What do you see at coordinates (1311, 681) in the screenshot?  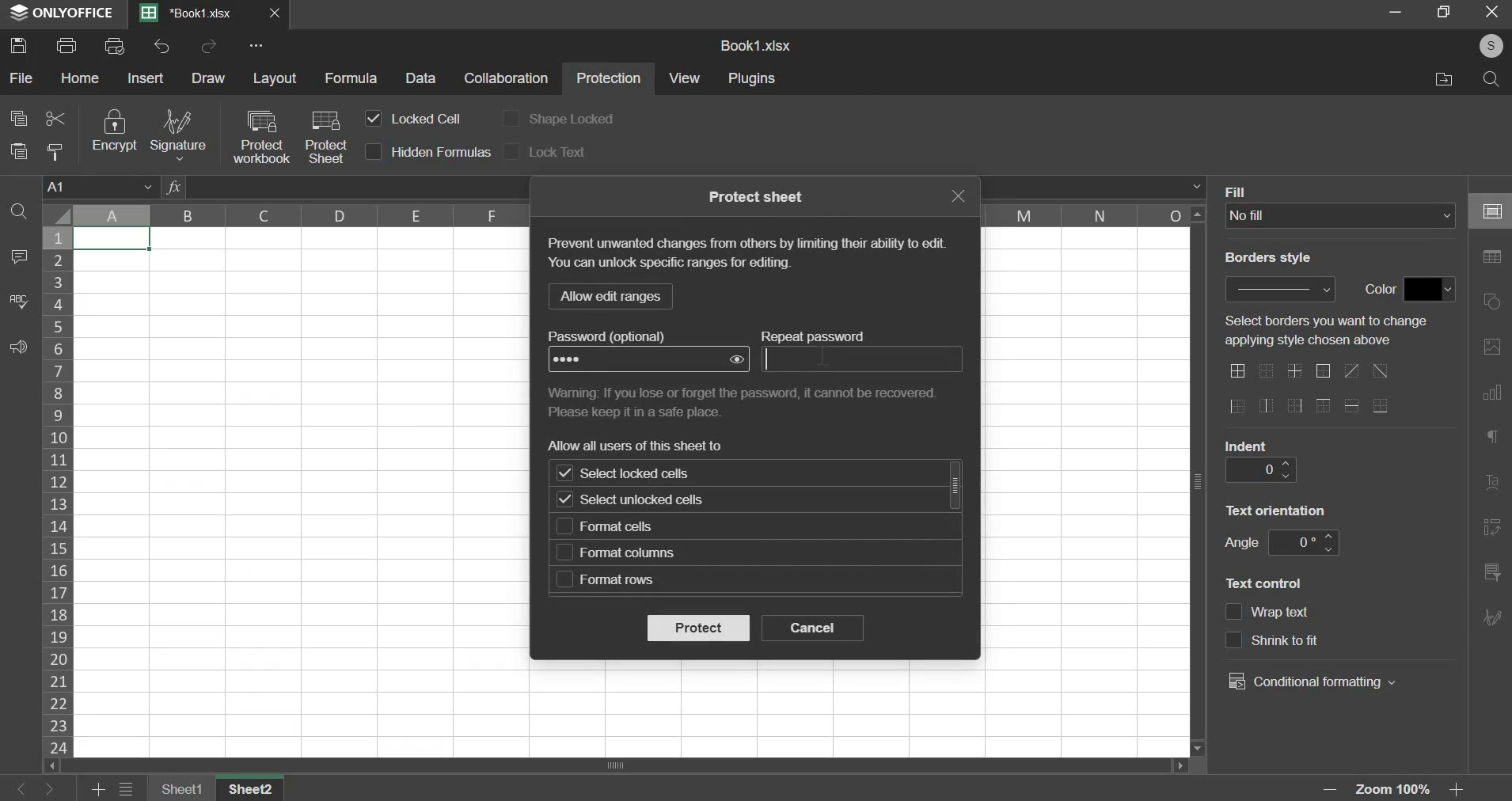 I see `conditional formatting` at bounding box center [1311, 681].